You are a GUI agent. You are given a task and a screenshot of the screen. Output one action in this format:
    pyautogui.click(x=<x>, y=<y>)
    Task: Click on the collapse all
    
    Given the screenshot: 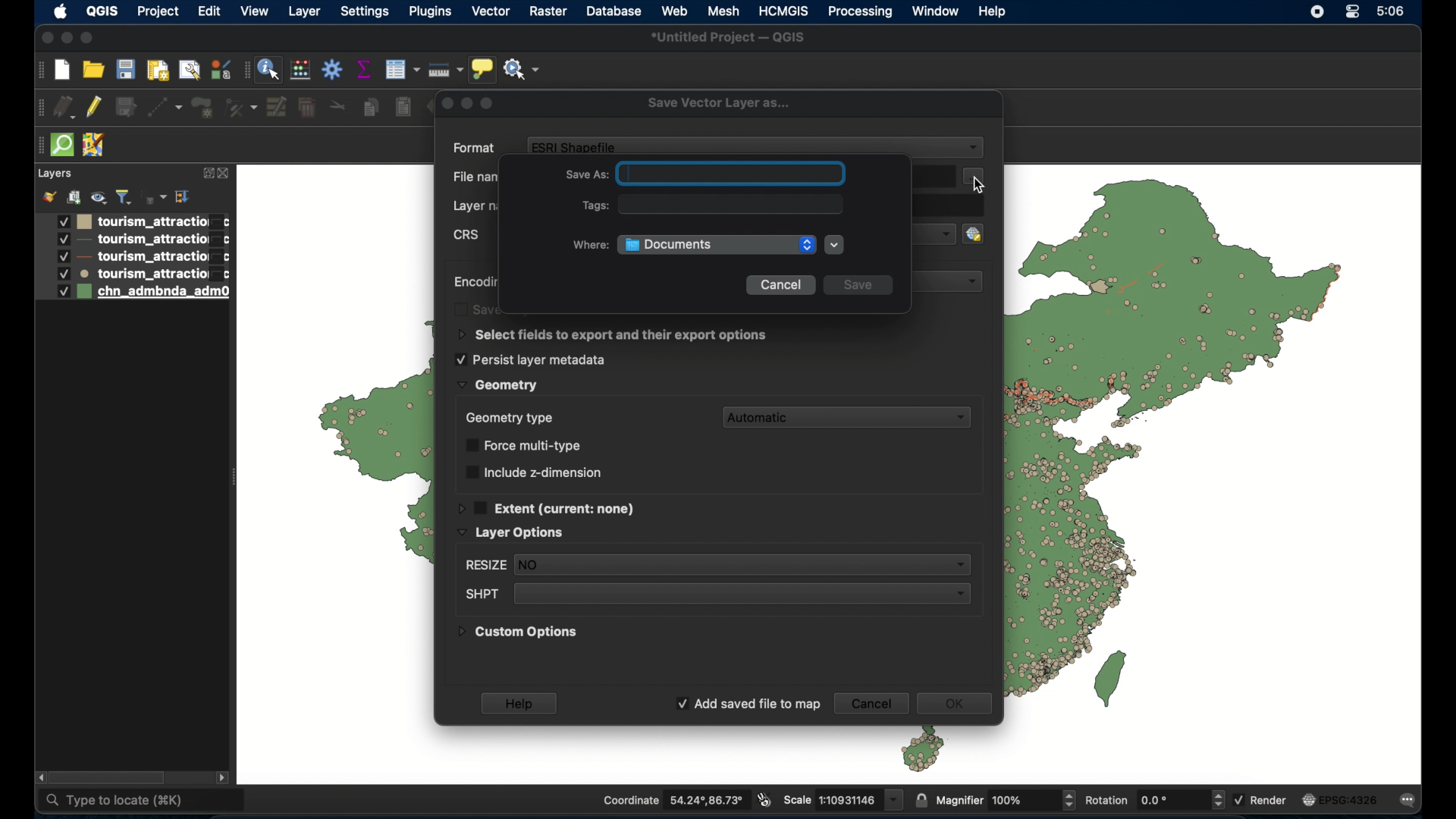 What is the action you would take?
    pyautogui.click(x=182, y=196)
    